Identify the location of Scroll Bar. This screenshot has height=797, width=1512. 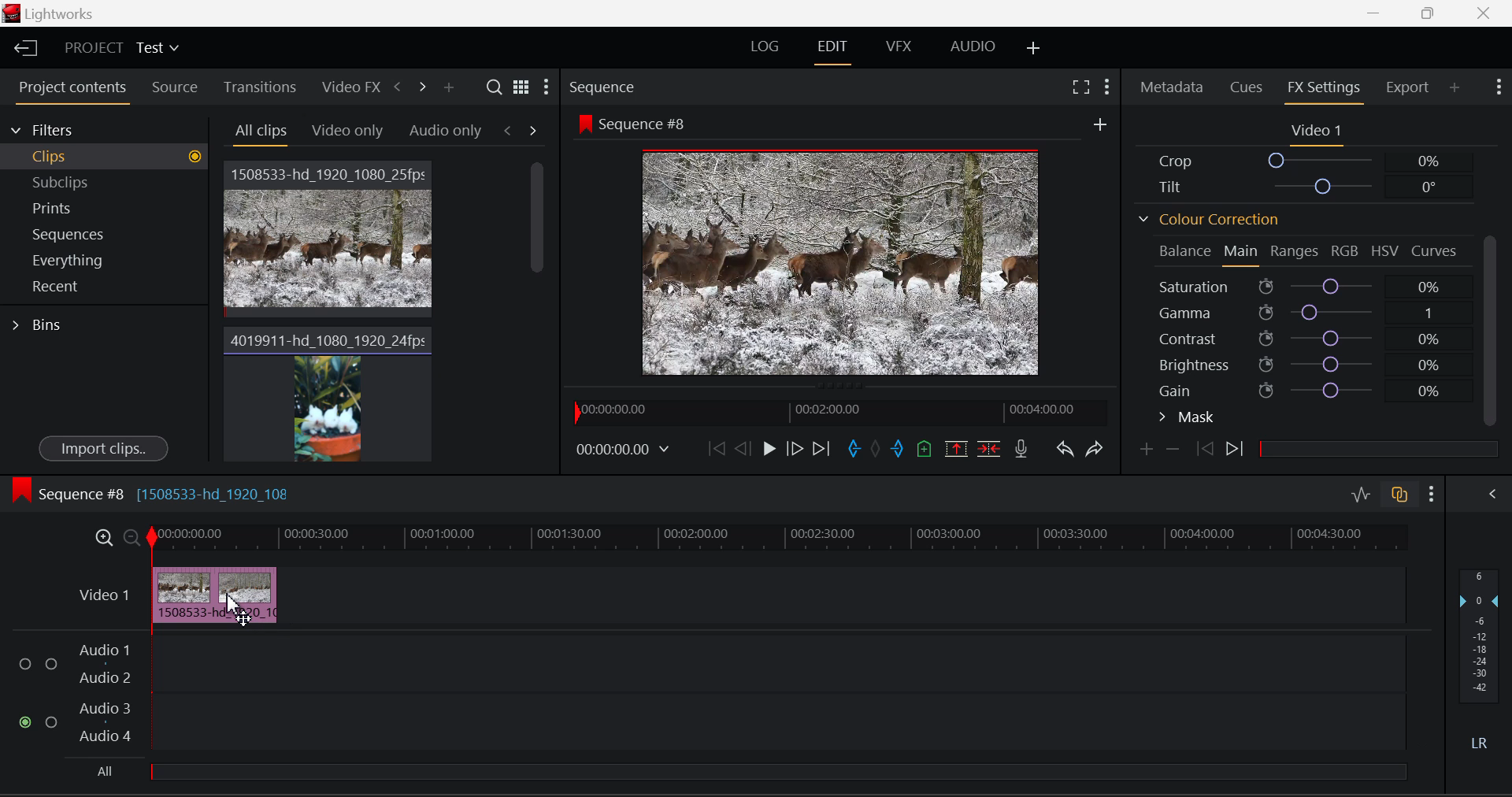
(1489, 332).